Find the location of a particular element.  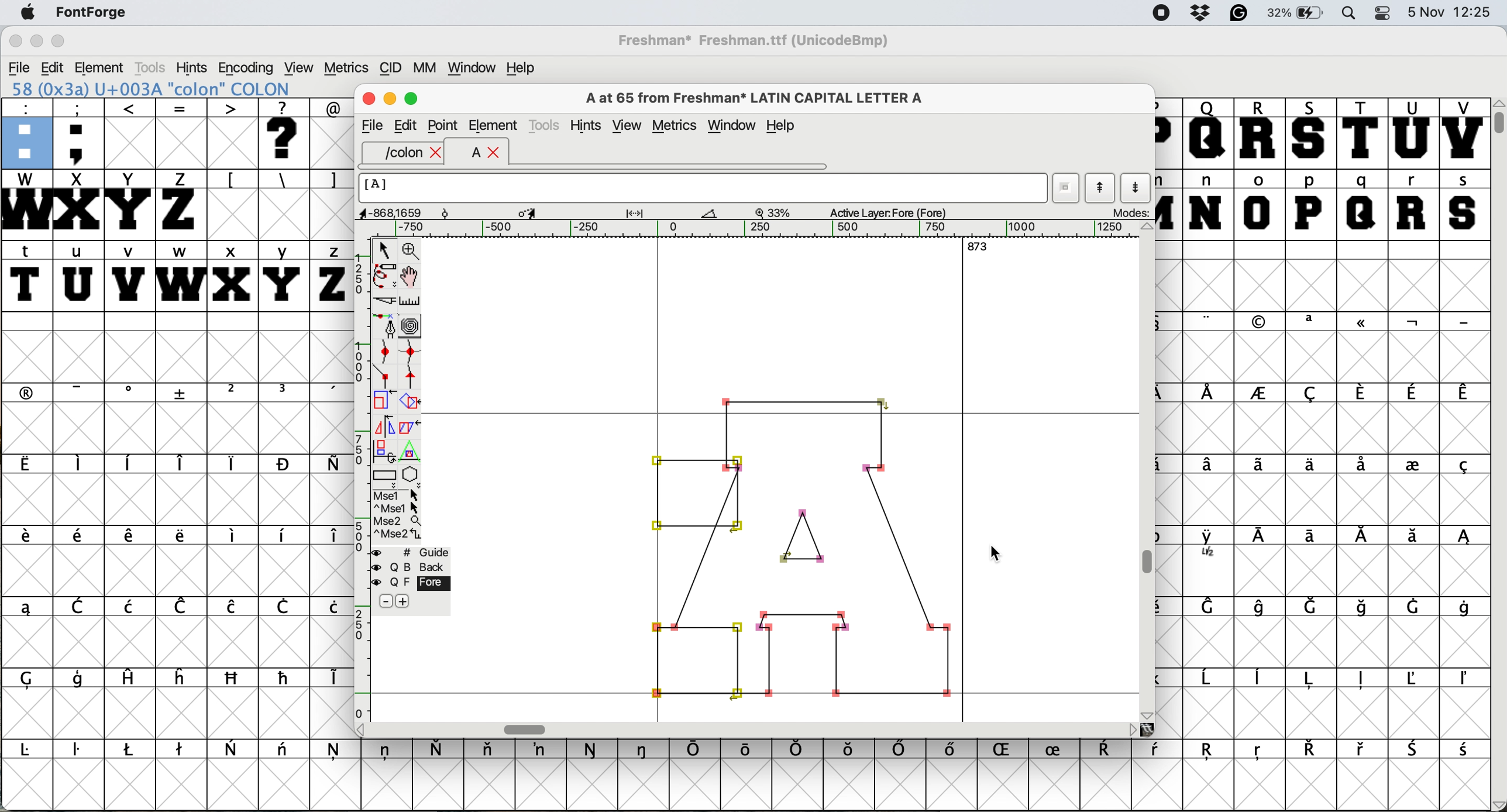

cut splines in two is located at coordinates (383, 300).